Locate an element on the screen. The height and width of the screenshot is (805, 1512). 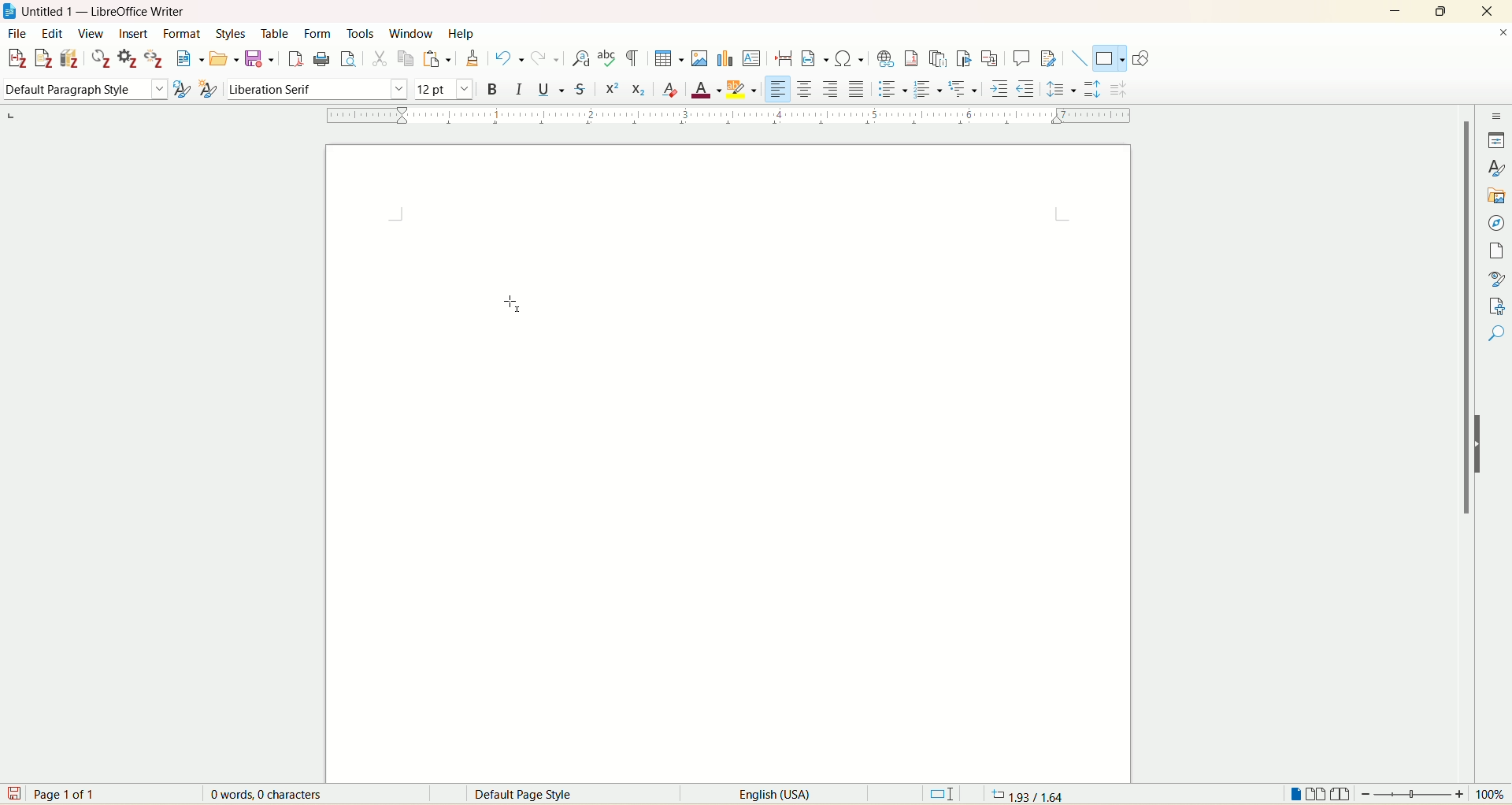
increase indent is located at coordinates (1000, 88).